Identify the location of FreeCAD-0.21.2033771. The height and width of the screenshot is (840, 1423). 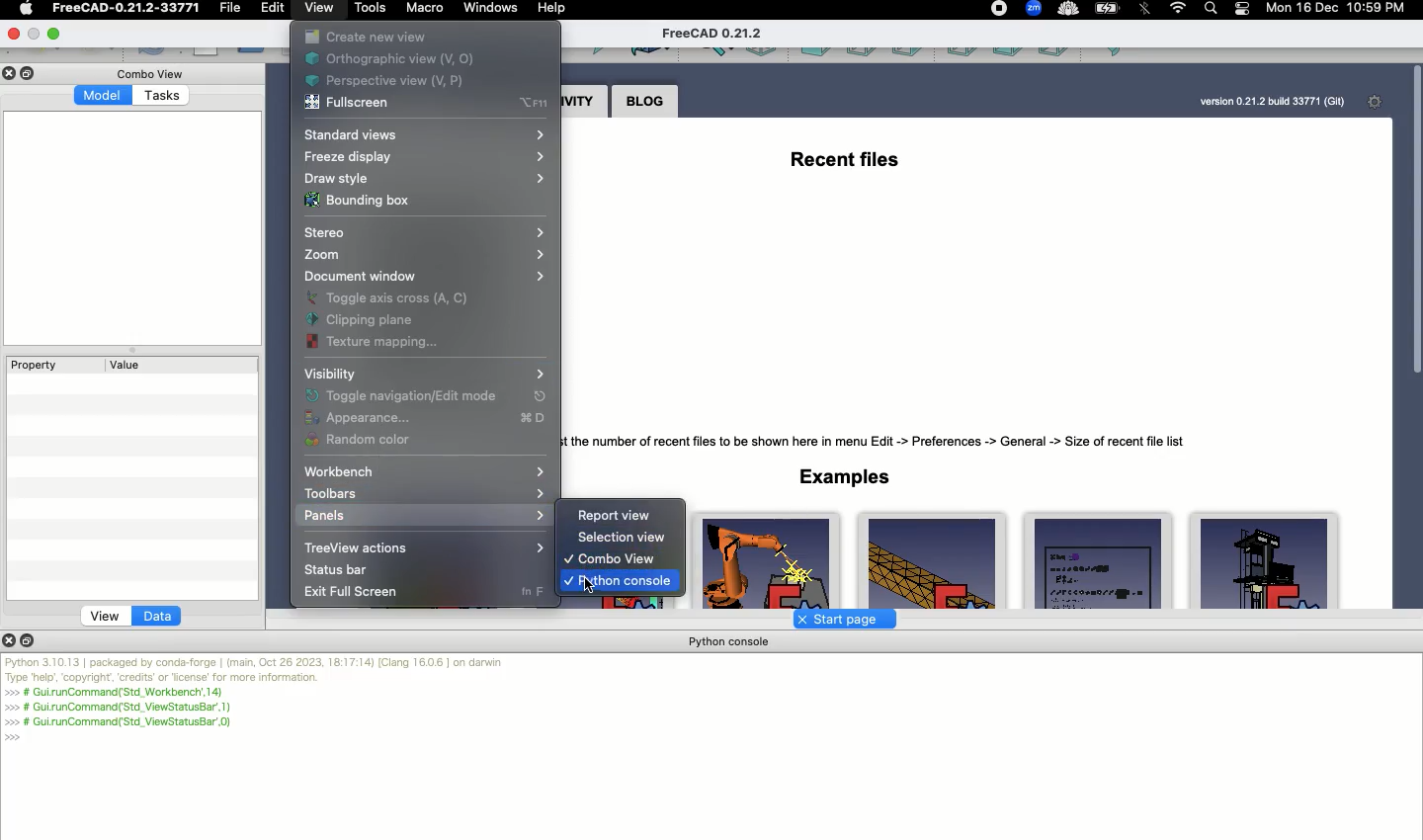
(126, 8).